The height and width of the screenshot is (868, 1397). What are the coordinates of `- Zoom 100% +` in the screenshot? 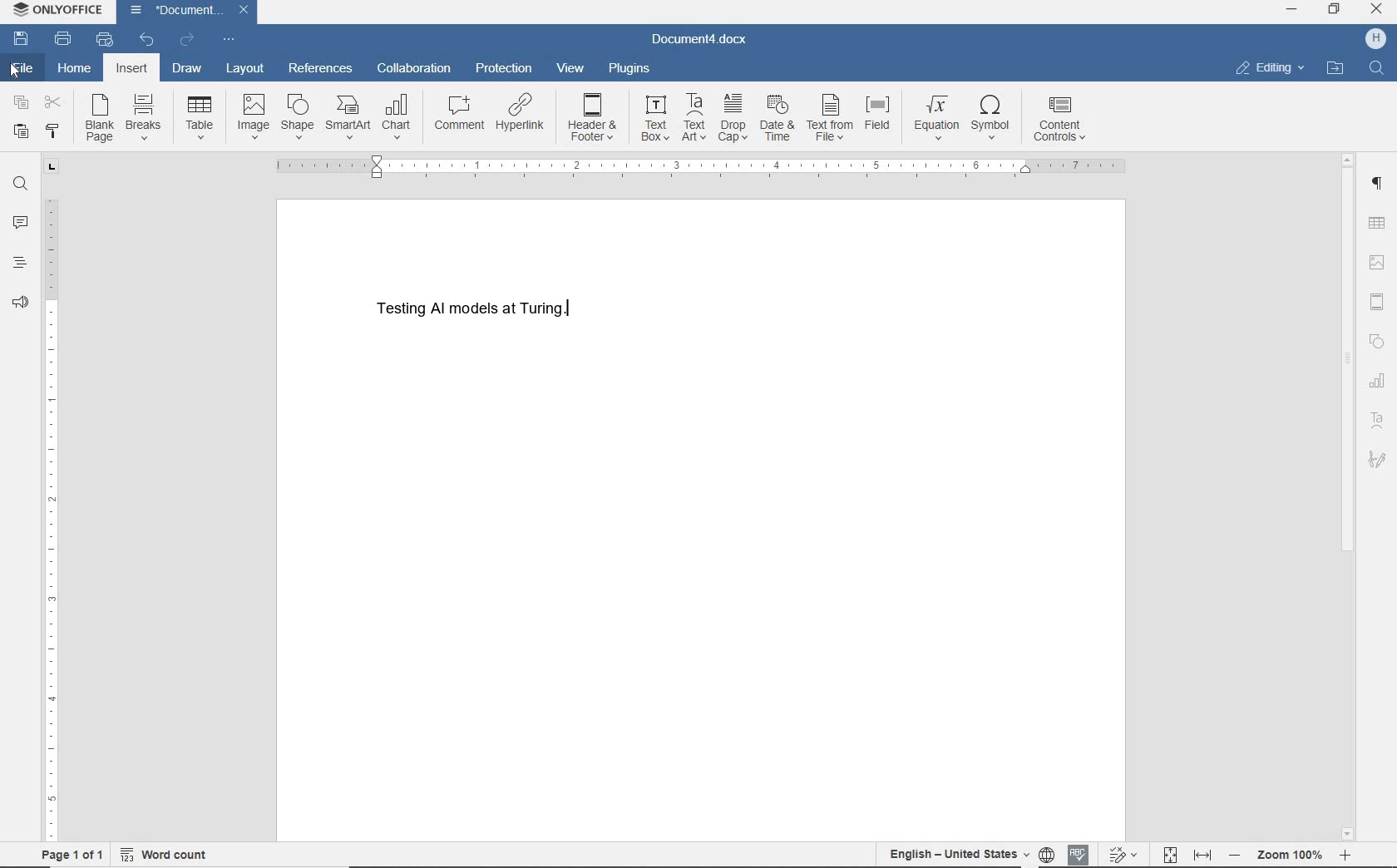 It's located at (1292, 855).